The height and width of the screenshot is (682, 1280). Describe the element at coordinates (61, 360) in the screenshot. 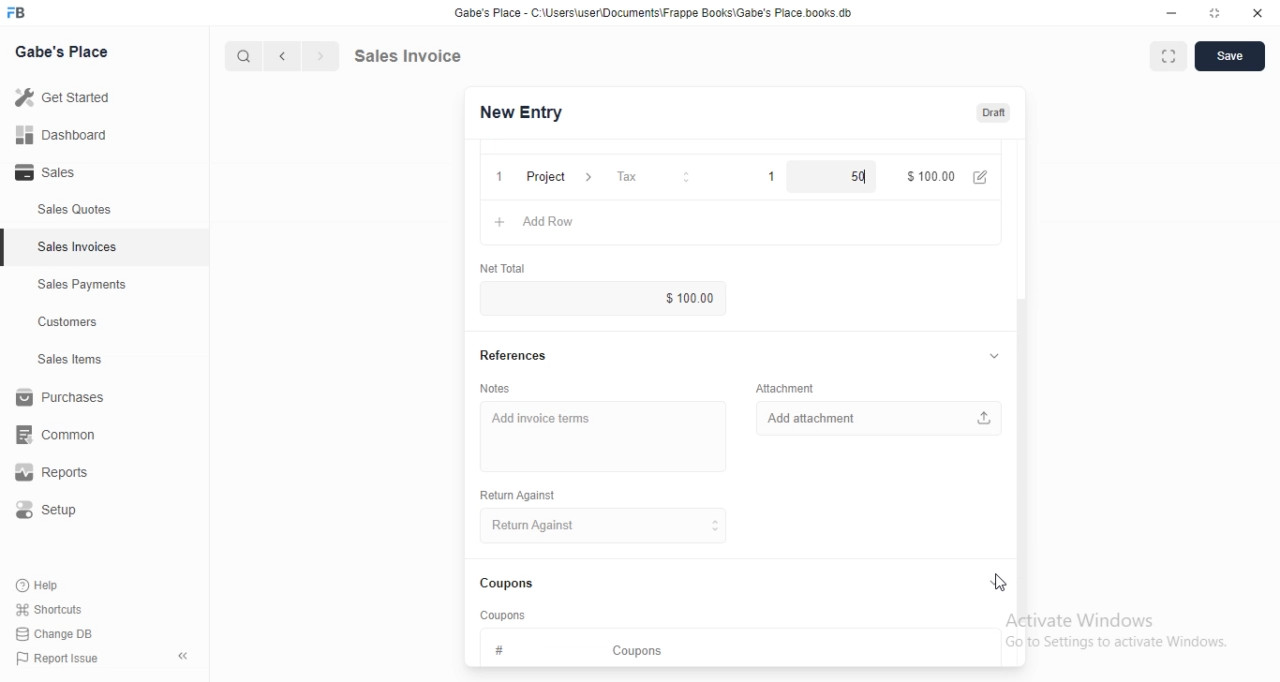

I see `Sales Items` at that location.